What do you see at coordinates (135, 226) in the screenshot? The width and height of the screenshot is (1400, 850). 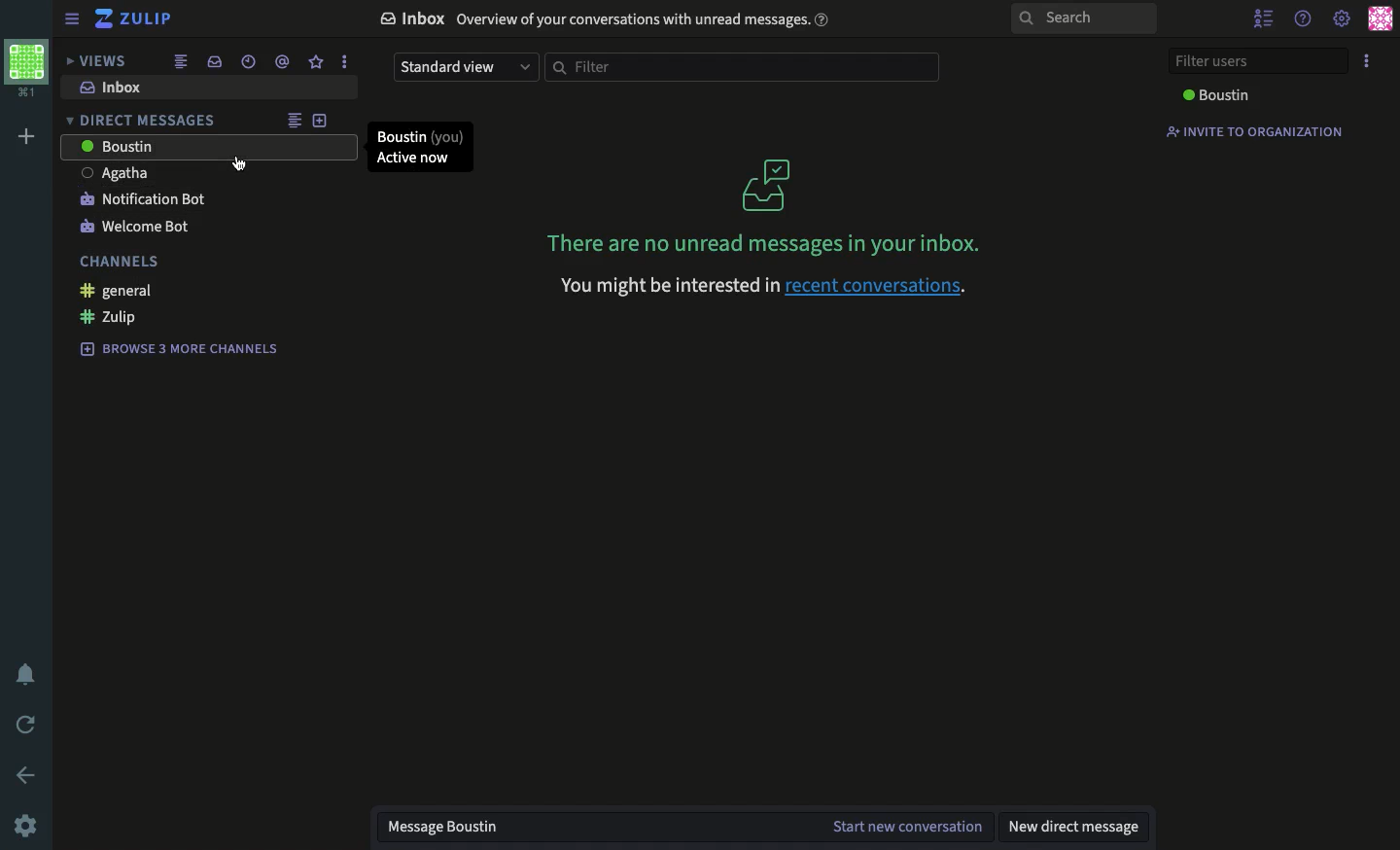 I see `welcome bot` at bounding box center [135, 226].